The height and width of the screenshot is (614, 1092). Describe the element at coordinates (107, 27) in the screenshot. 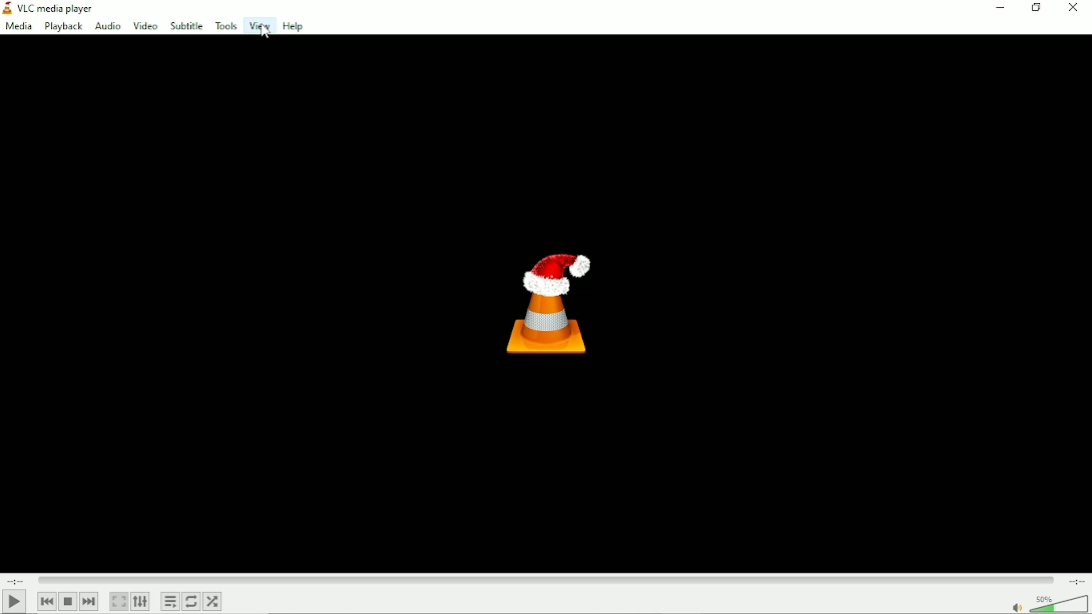

I see `Audio` at that location.